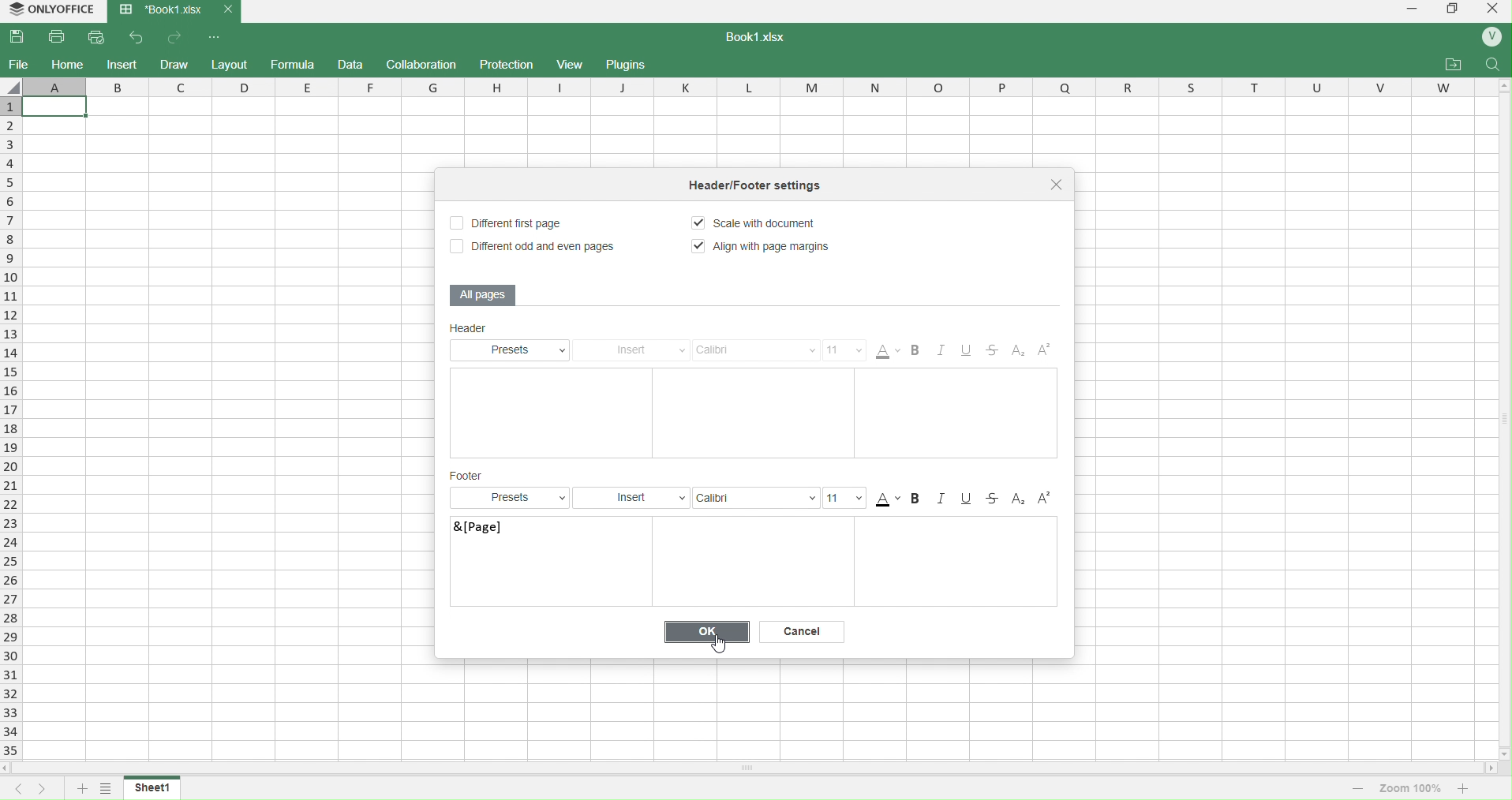 The image size is (1512, 800). What do you see at coordinates (137, 36) in the screenshot?
I see `back` at bounding box center [137, 36].